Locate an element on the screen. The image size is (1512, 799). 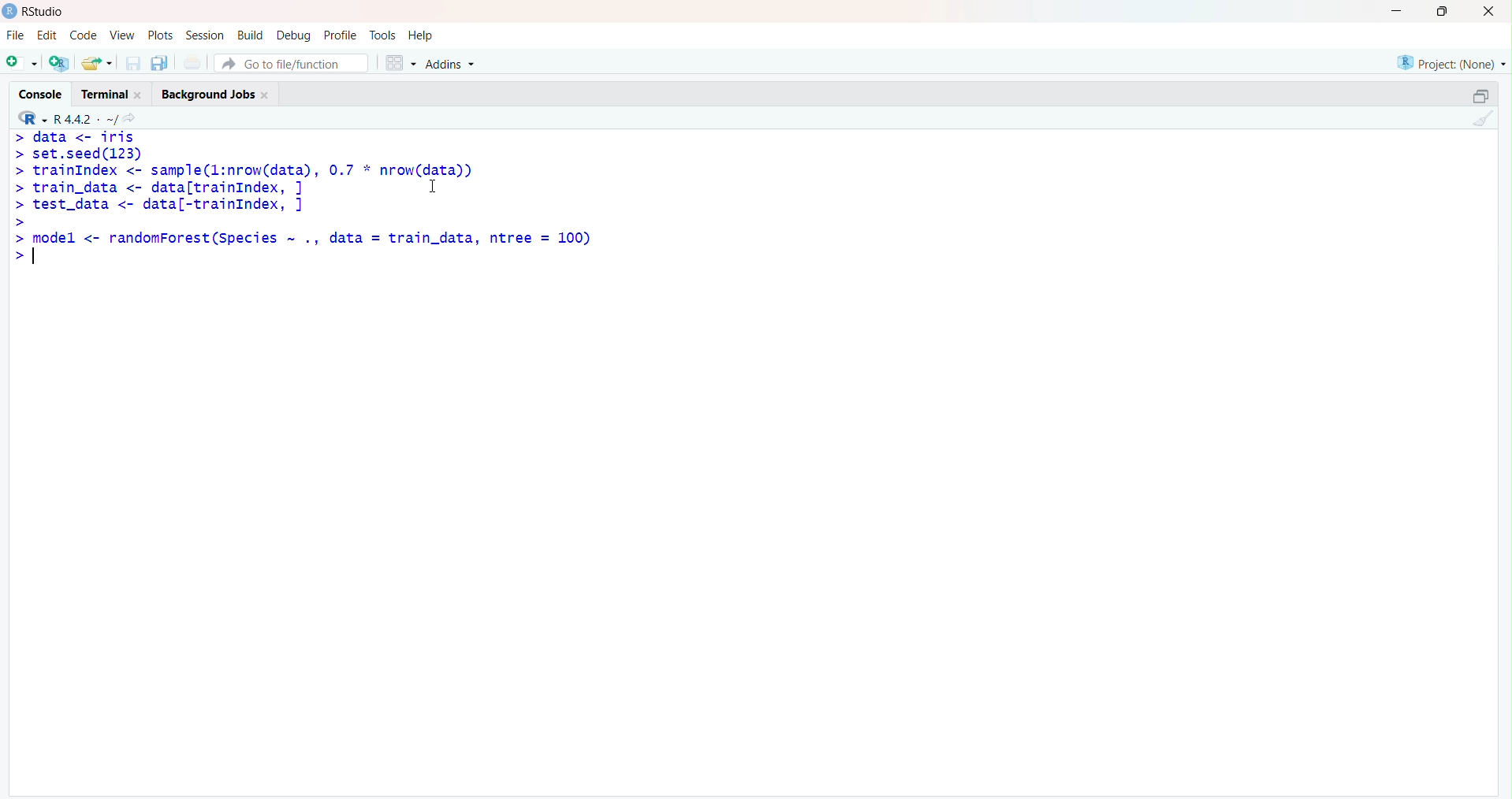
Workspace panes is located at coordinates (397, 61).